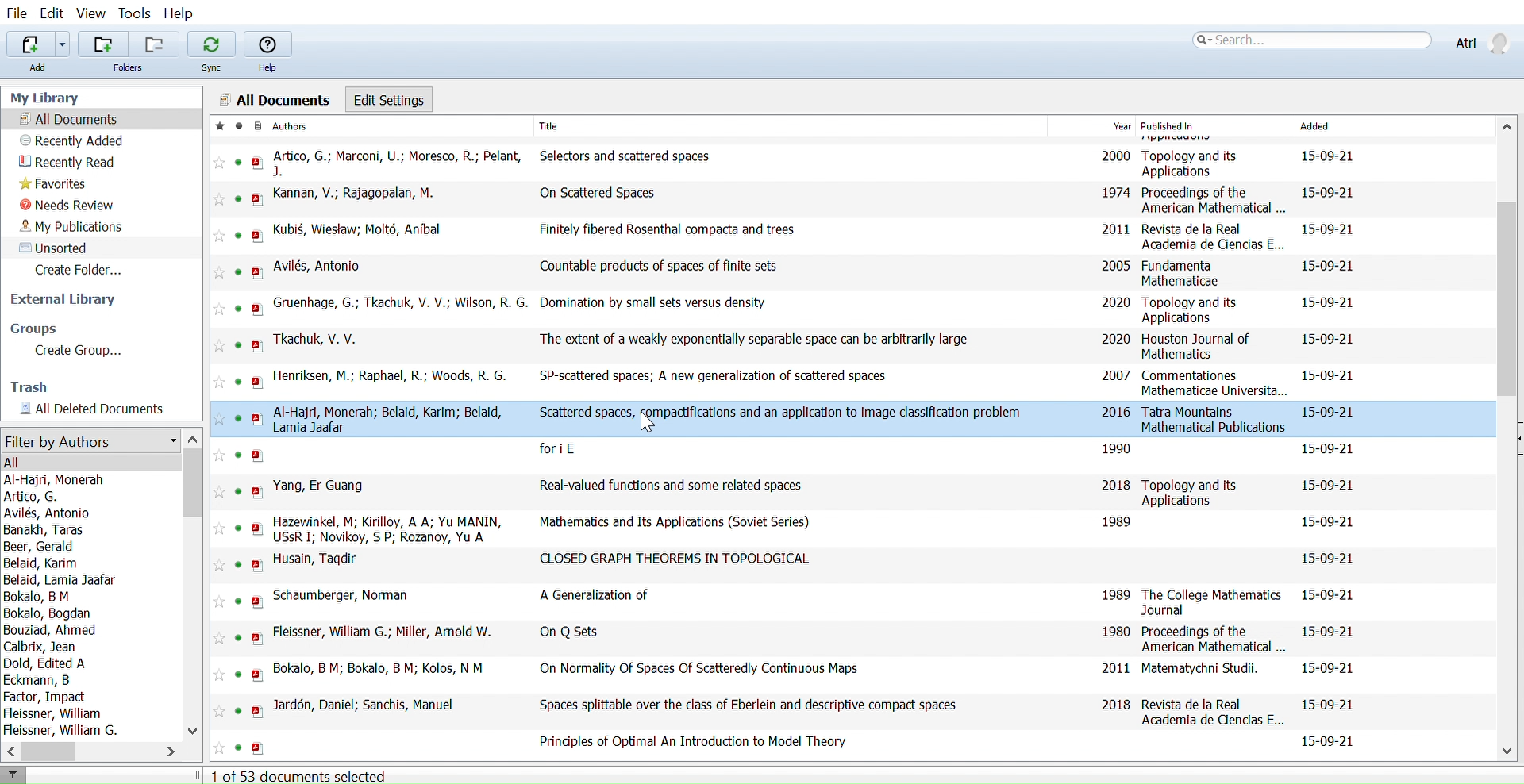 This screenshot has width=1524, height=784. What do you see at coordinates (75, 140) in the screenshot?
I see `Recently added` at bounding box center [75, 140].